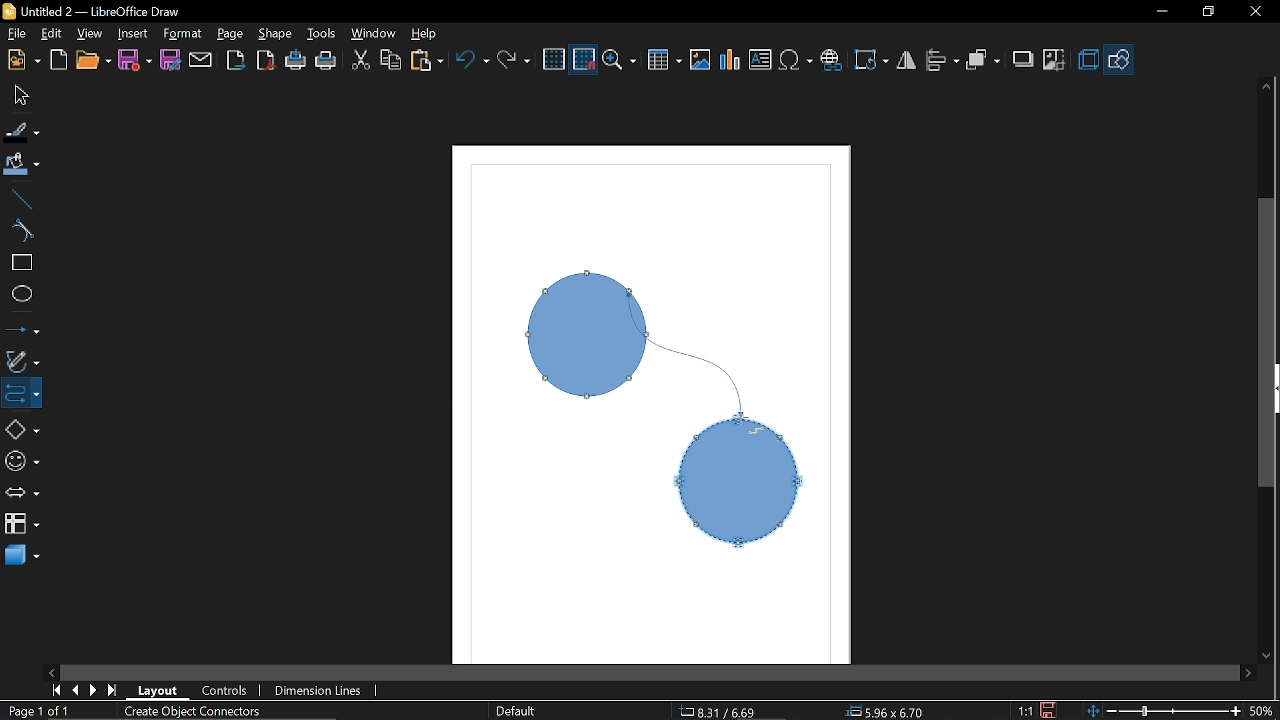  I want to click on Redo, so click(514, 57).